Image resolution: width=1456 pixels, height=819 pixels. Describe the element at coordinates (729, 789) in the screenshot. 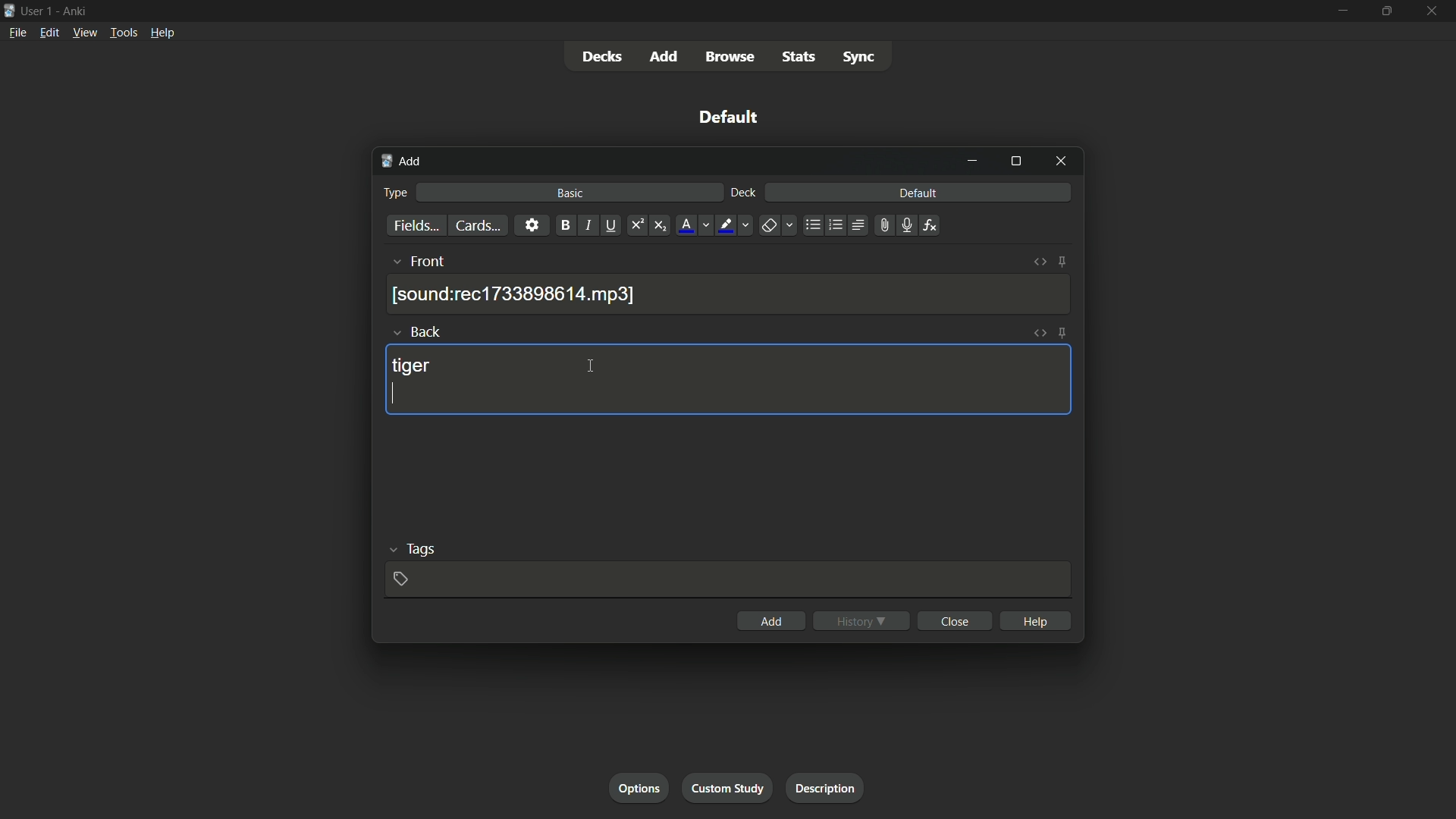

I see `custom study` at that location.